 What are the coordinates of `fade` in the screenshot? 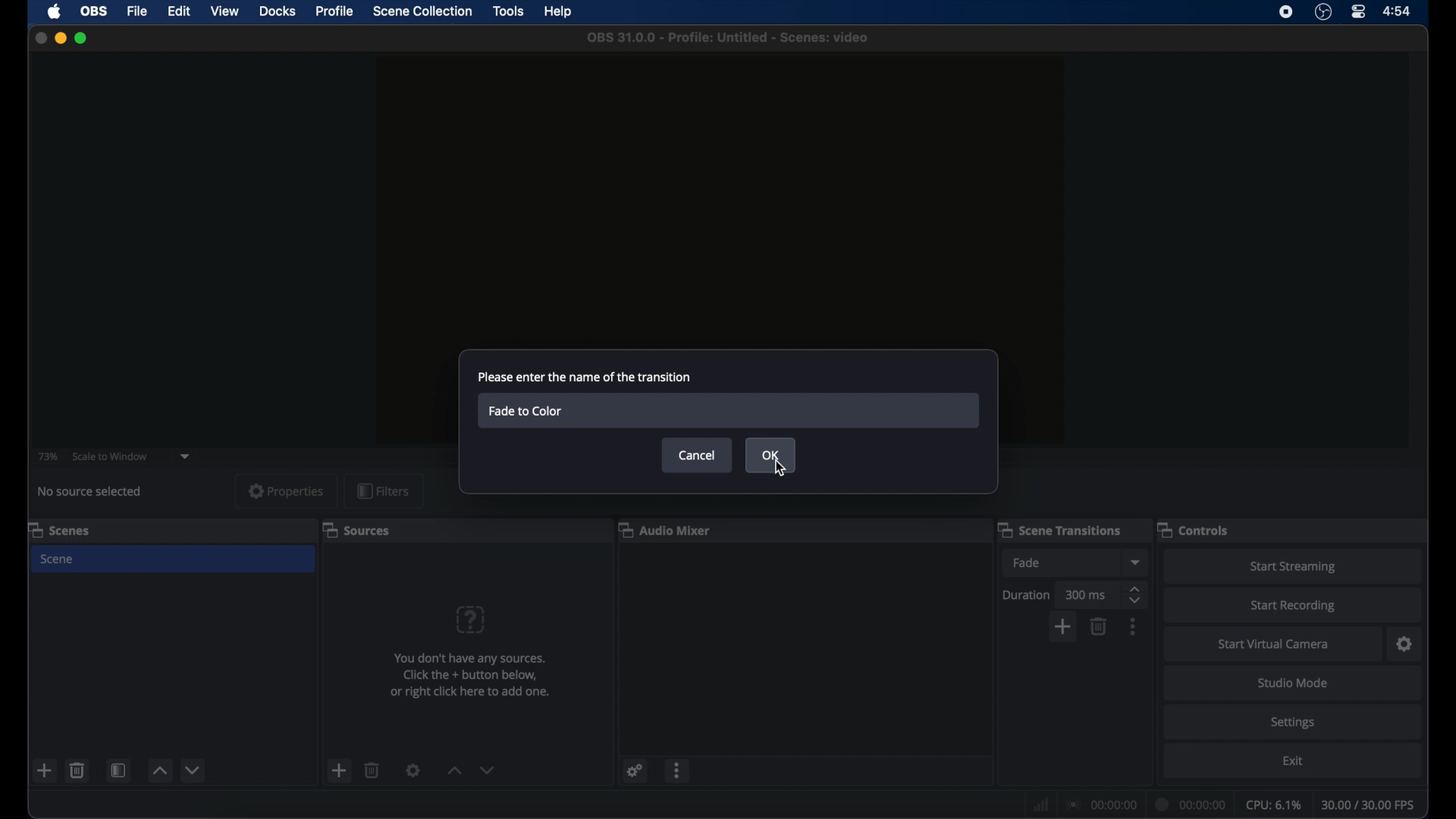 It's located at (1028, 563).